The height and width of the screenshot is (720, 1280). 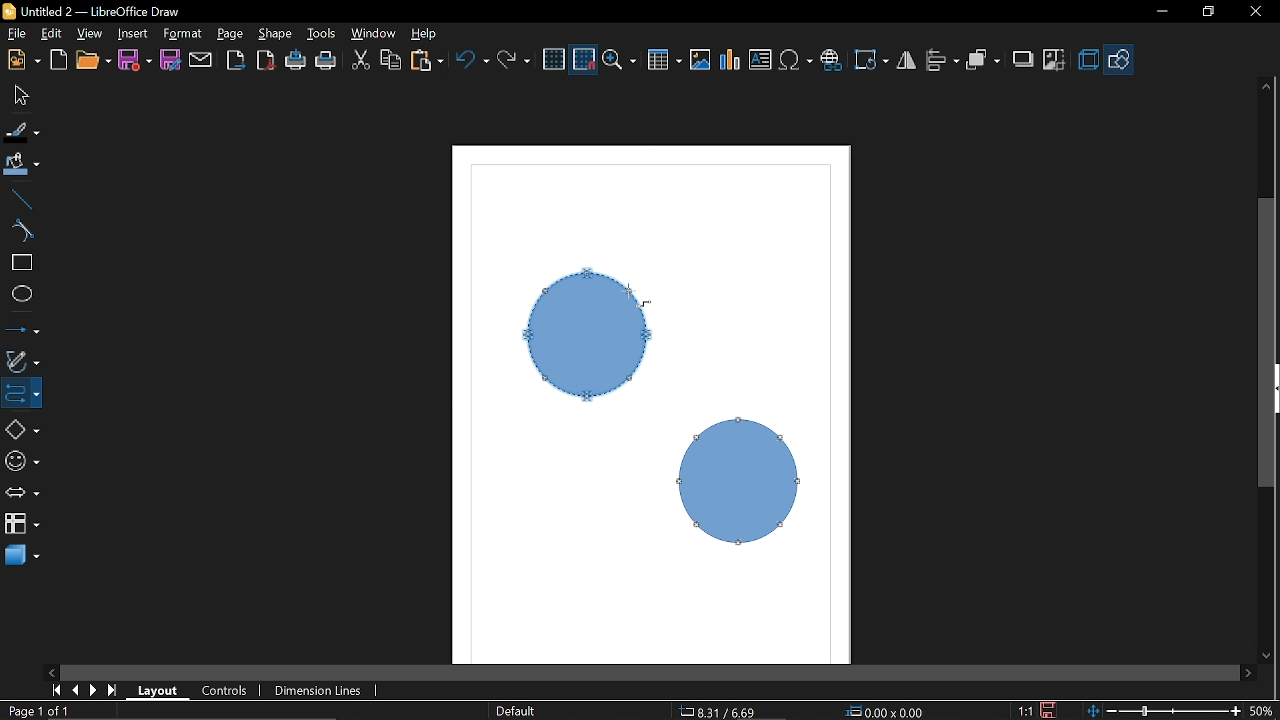 I want to click on file , so click(x=15, y=34).